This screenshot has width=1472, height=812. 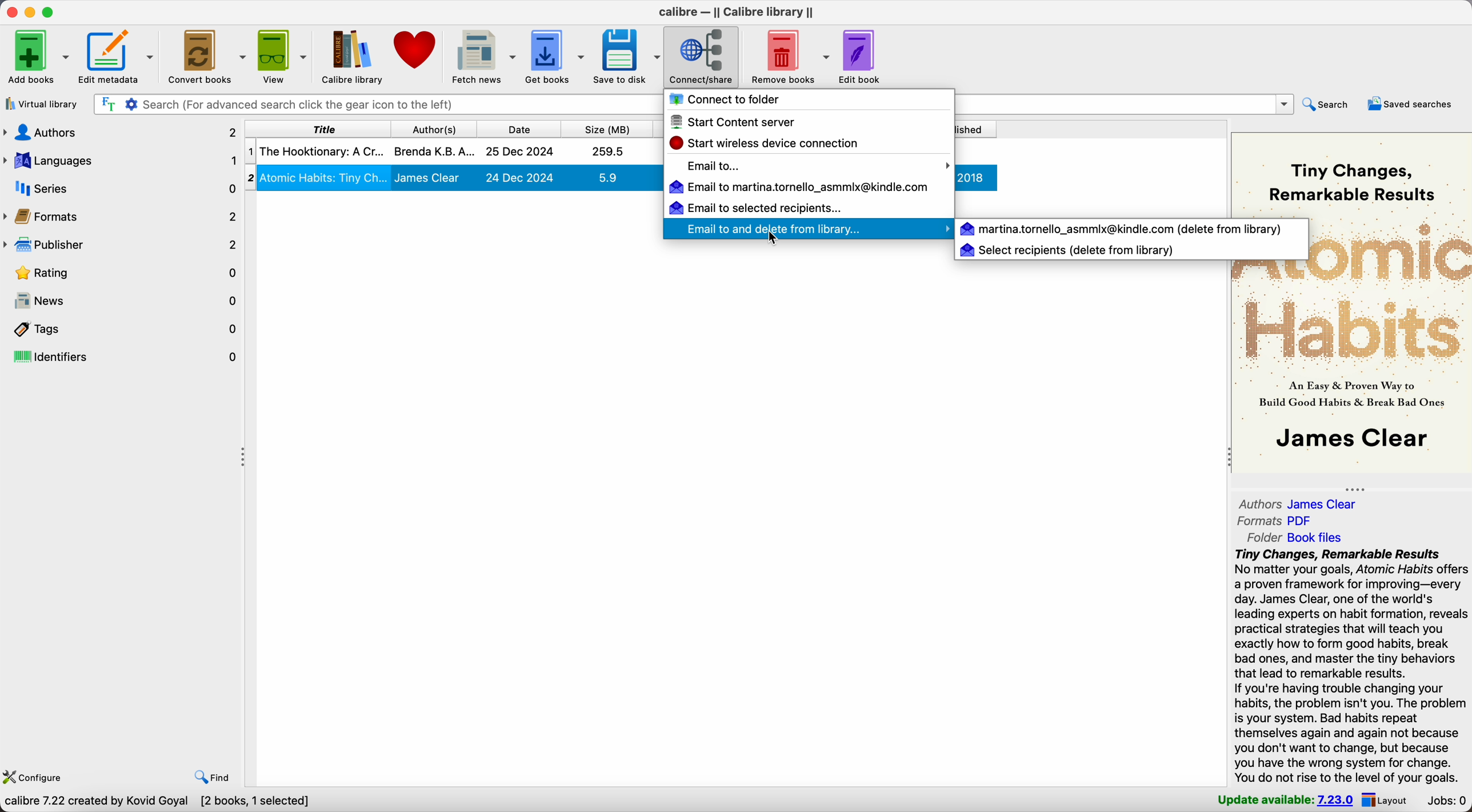 I want to click on email to, so click(x=817, y=166).